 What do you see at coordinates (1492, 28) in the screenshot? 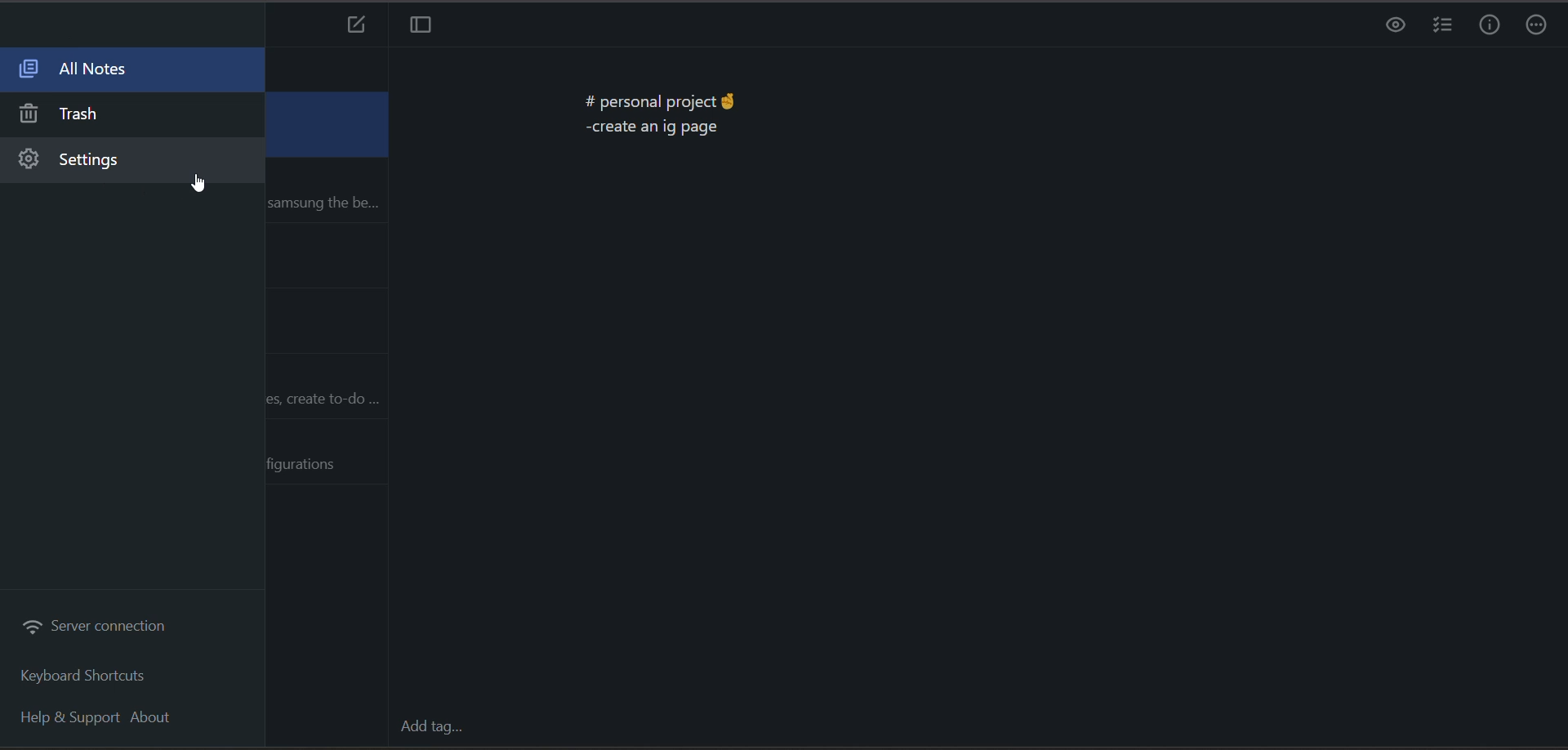
I see `info` at bounding box center [1492, 28].